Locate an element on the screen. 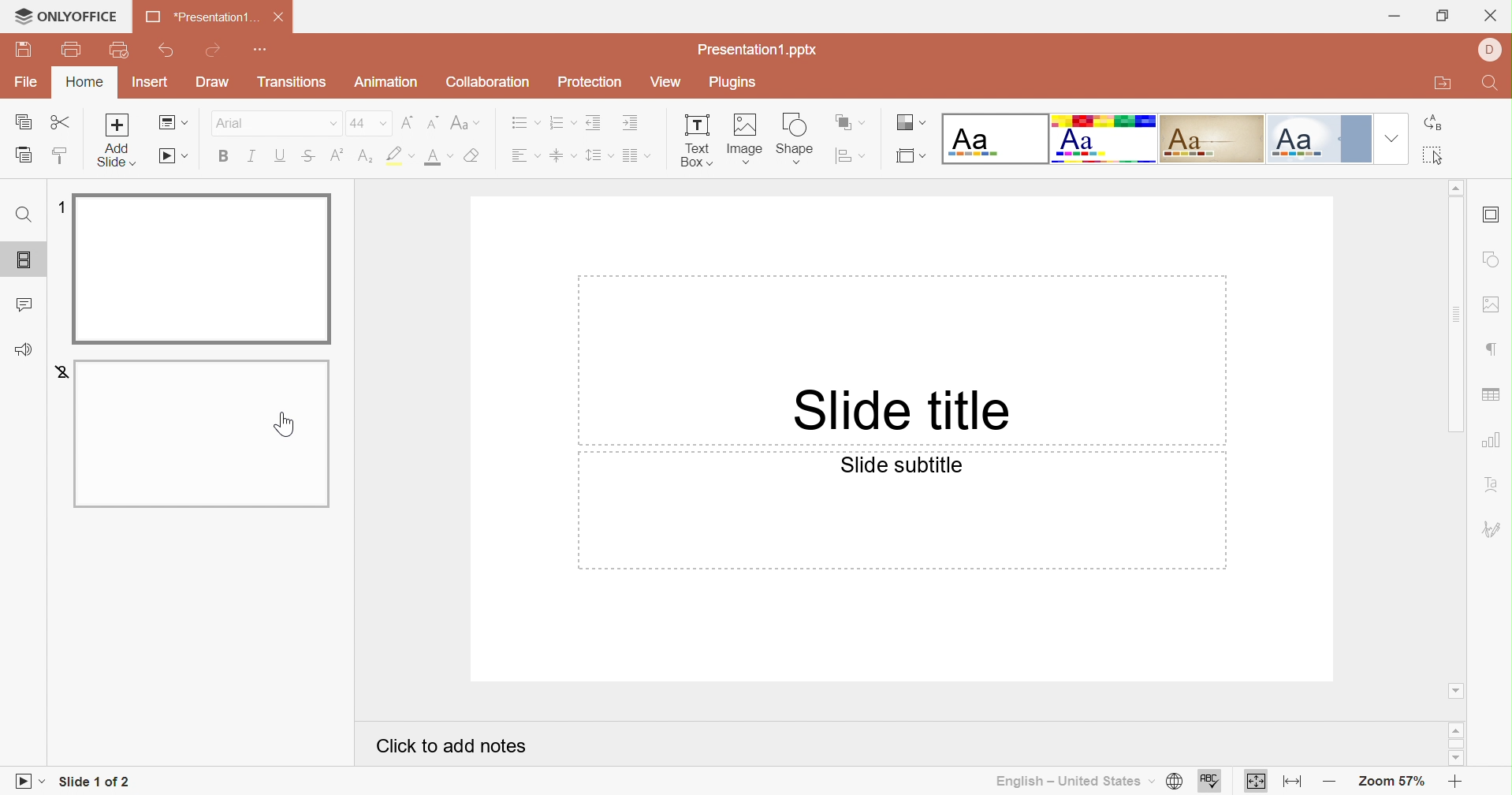 The image size is (1512, 795). Slide 1 of 2 is located at coordinates (94, 780).